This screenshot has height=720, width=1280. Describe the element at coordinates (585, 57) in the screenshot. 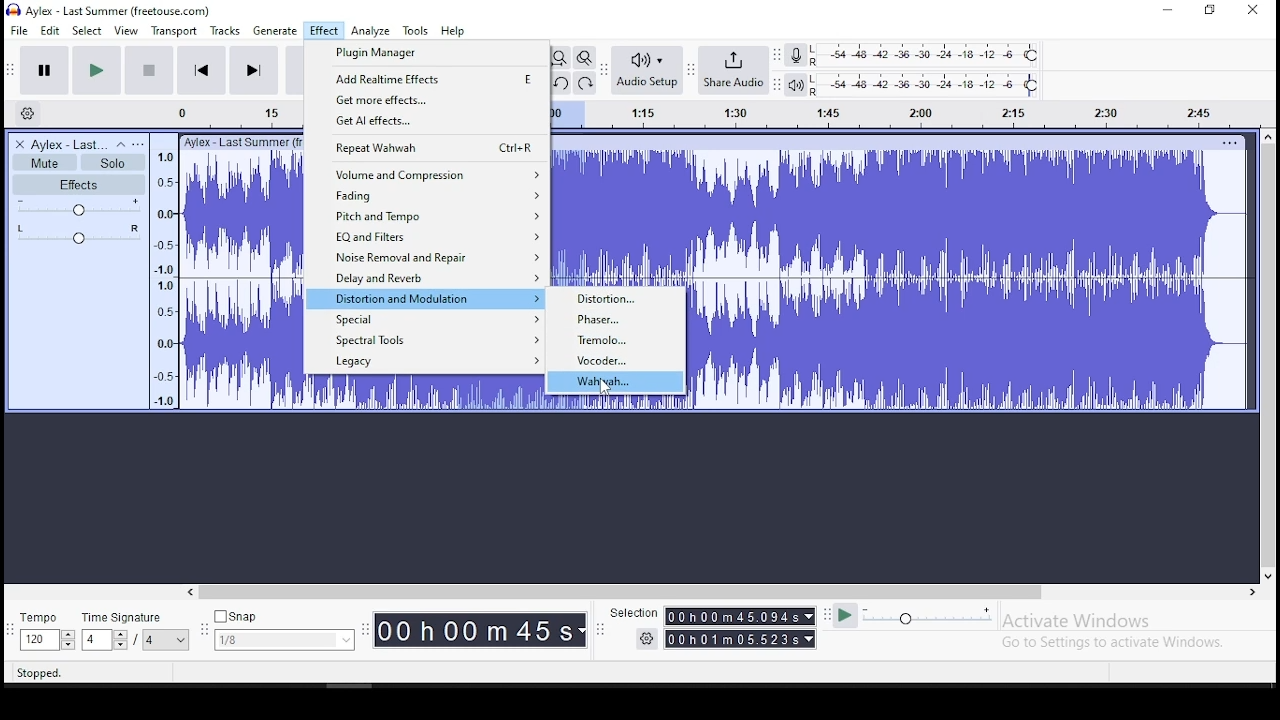

I see `zoom toggle` at that location.